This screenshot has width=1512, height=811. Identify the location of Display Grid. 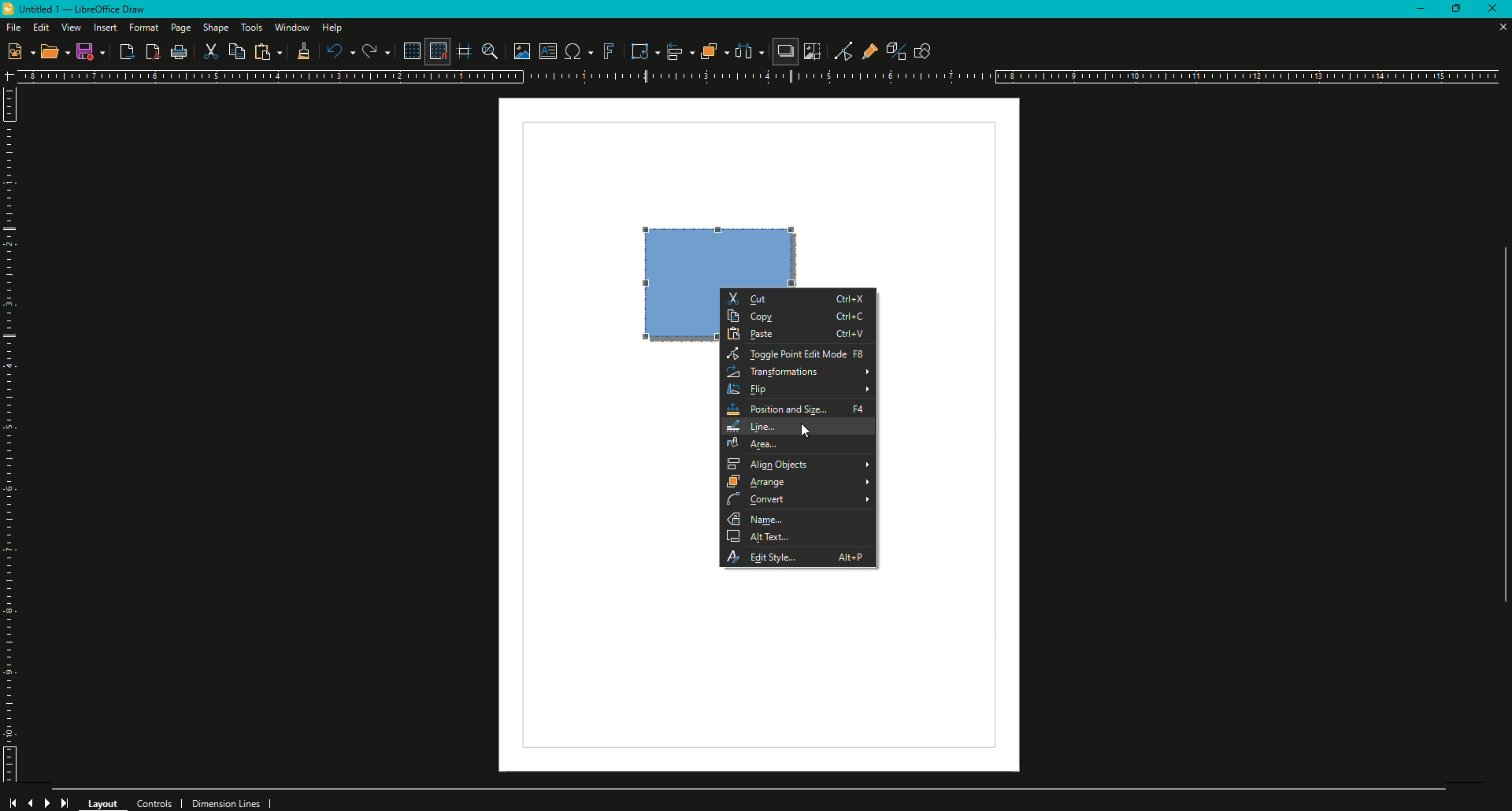
(408, 50).